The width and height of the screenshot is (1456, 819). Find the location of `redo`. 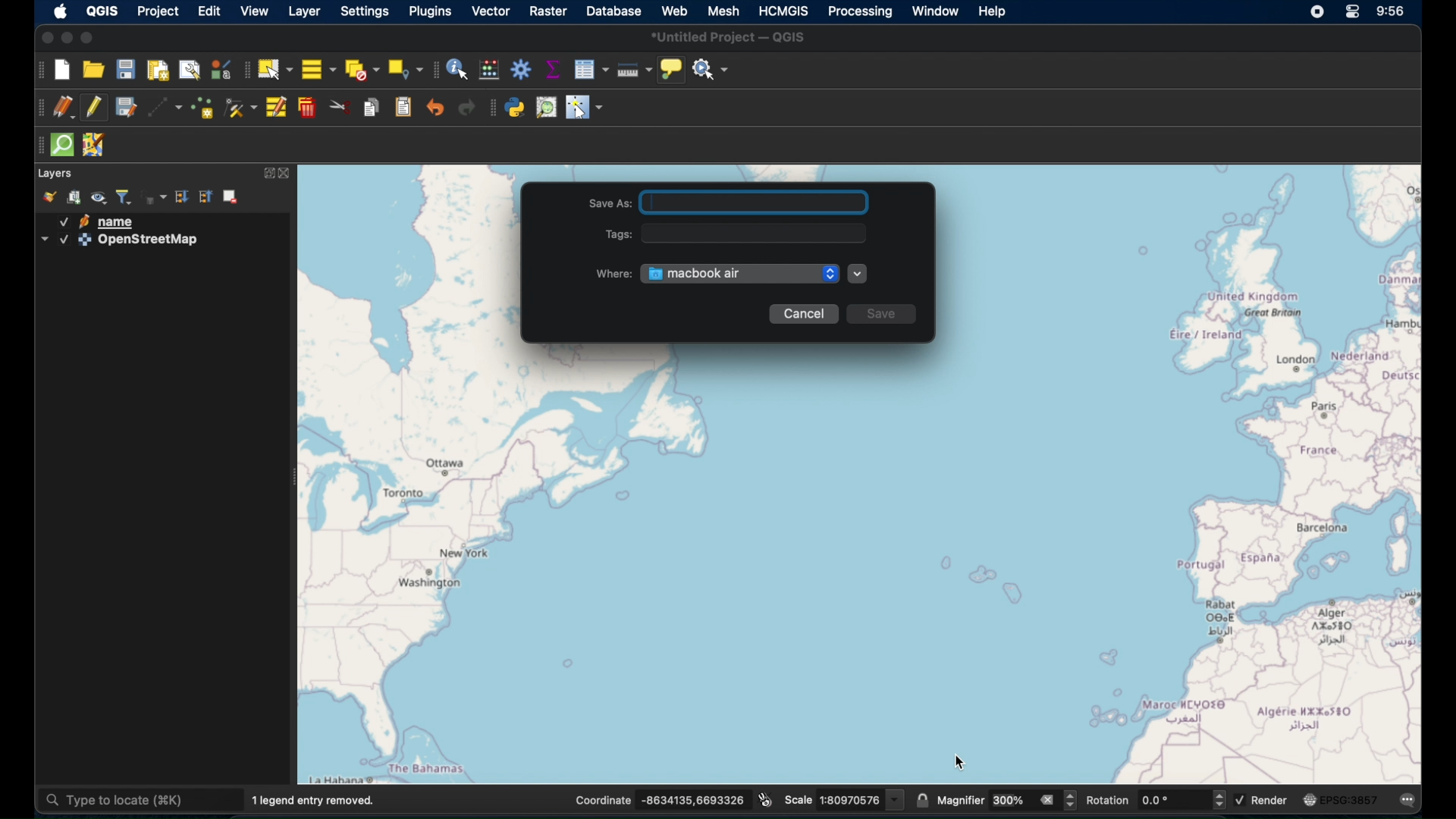

redo is located at coordinates (468, 110).